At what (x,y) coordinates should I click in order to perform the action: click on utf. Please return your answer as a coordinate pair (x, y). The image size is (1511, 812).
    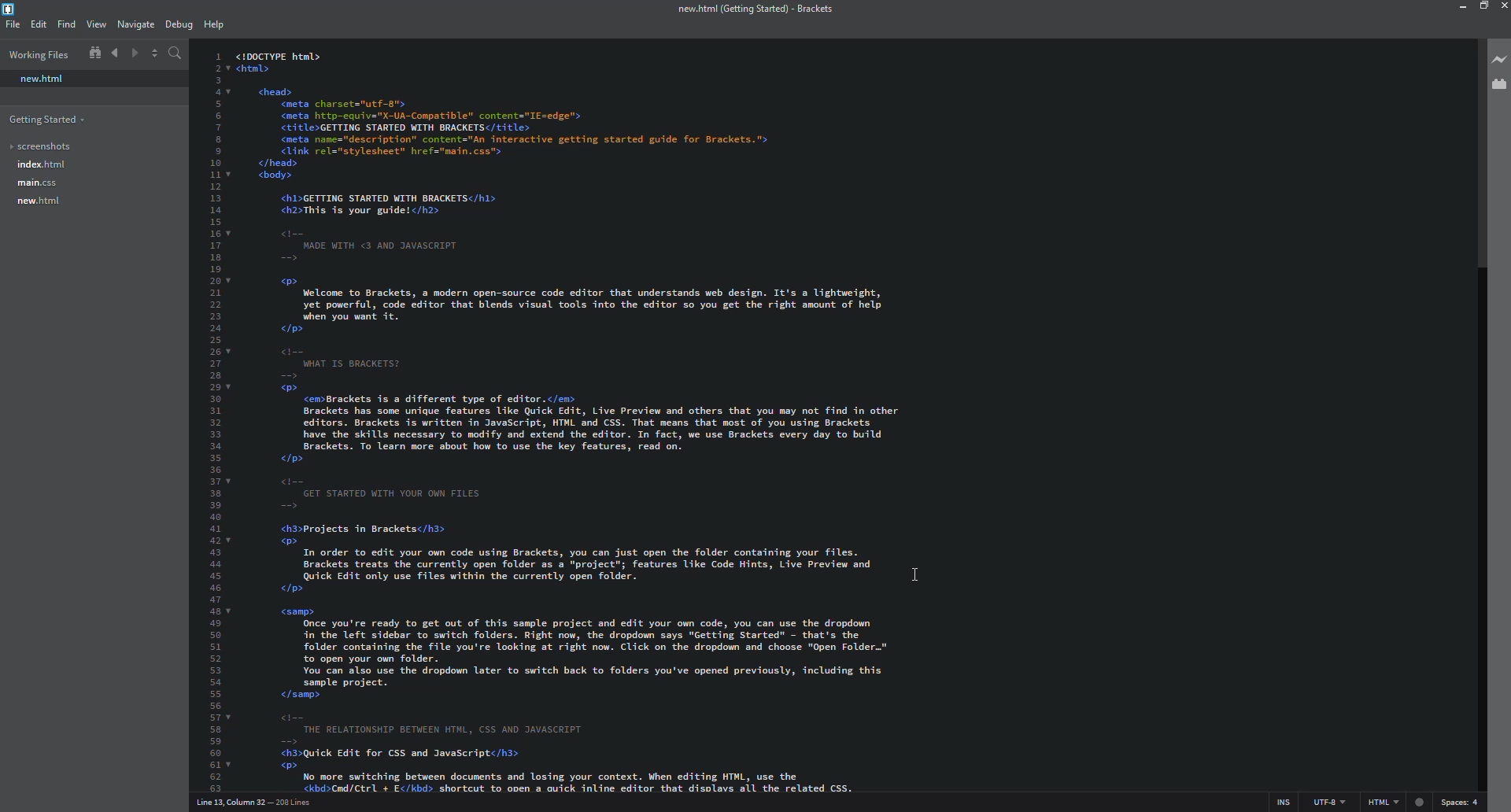
    Looking at the image, I should click on (1332, 802).